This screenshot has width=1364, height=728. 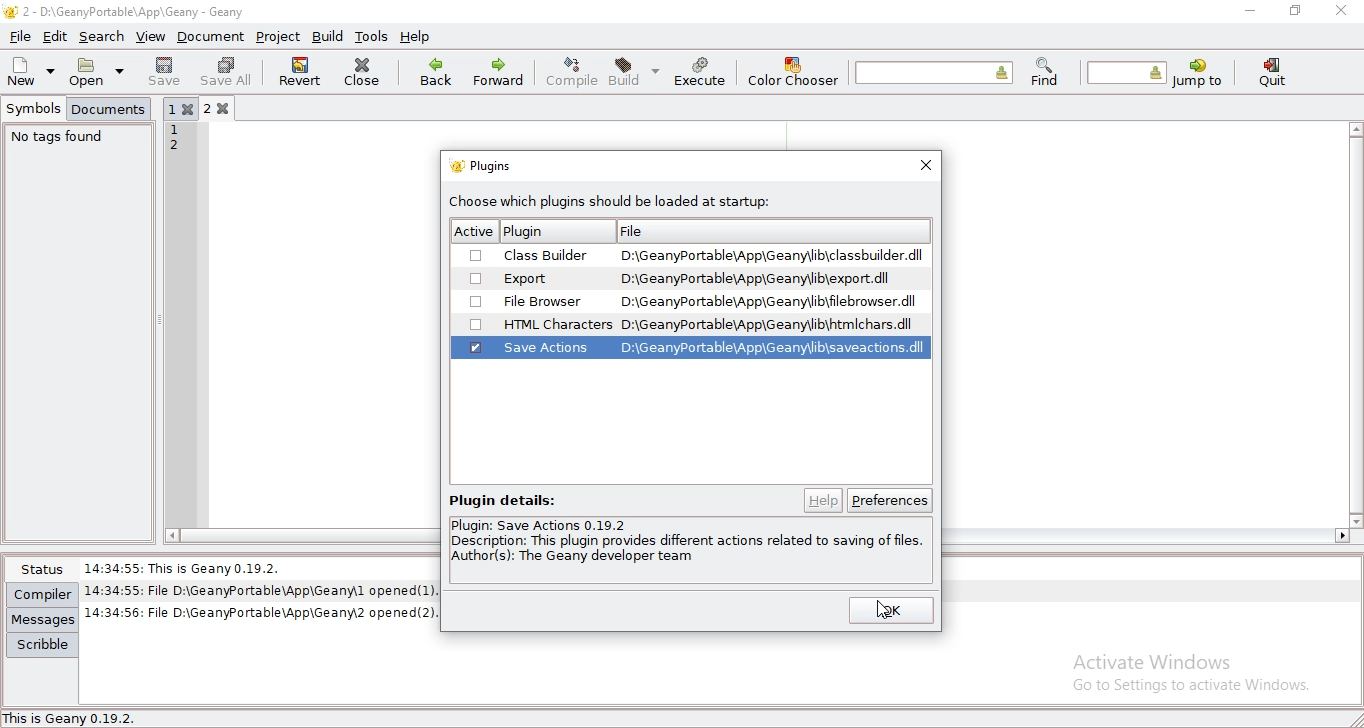 What do you see at coordinates (138, 11) in the screenshot?
I see ` 2 - D:\GeanyPortable\App\Geany - Geany` at bounding box center [138, 11].